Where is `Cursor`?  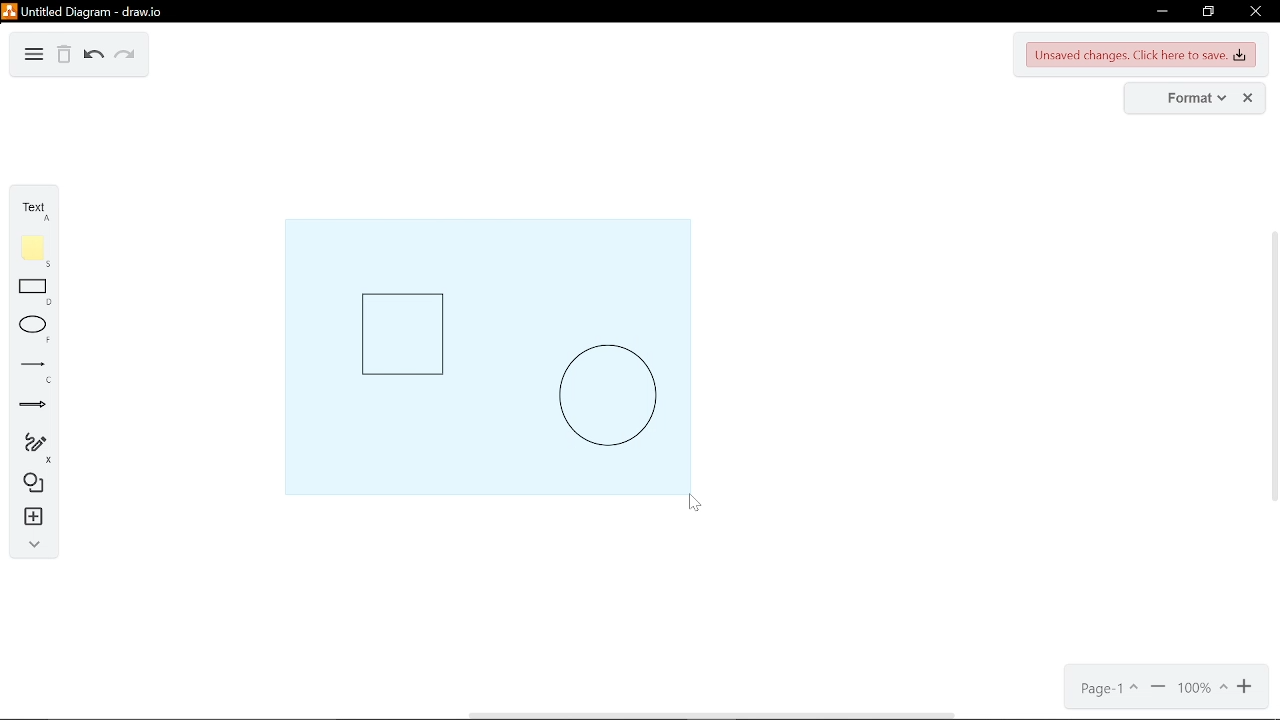
Cursor is located at coordinates (698, 508).